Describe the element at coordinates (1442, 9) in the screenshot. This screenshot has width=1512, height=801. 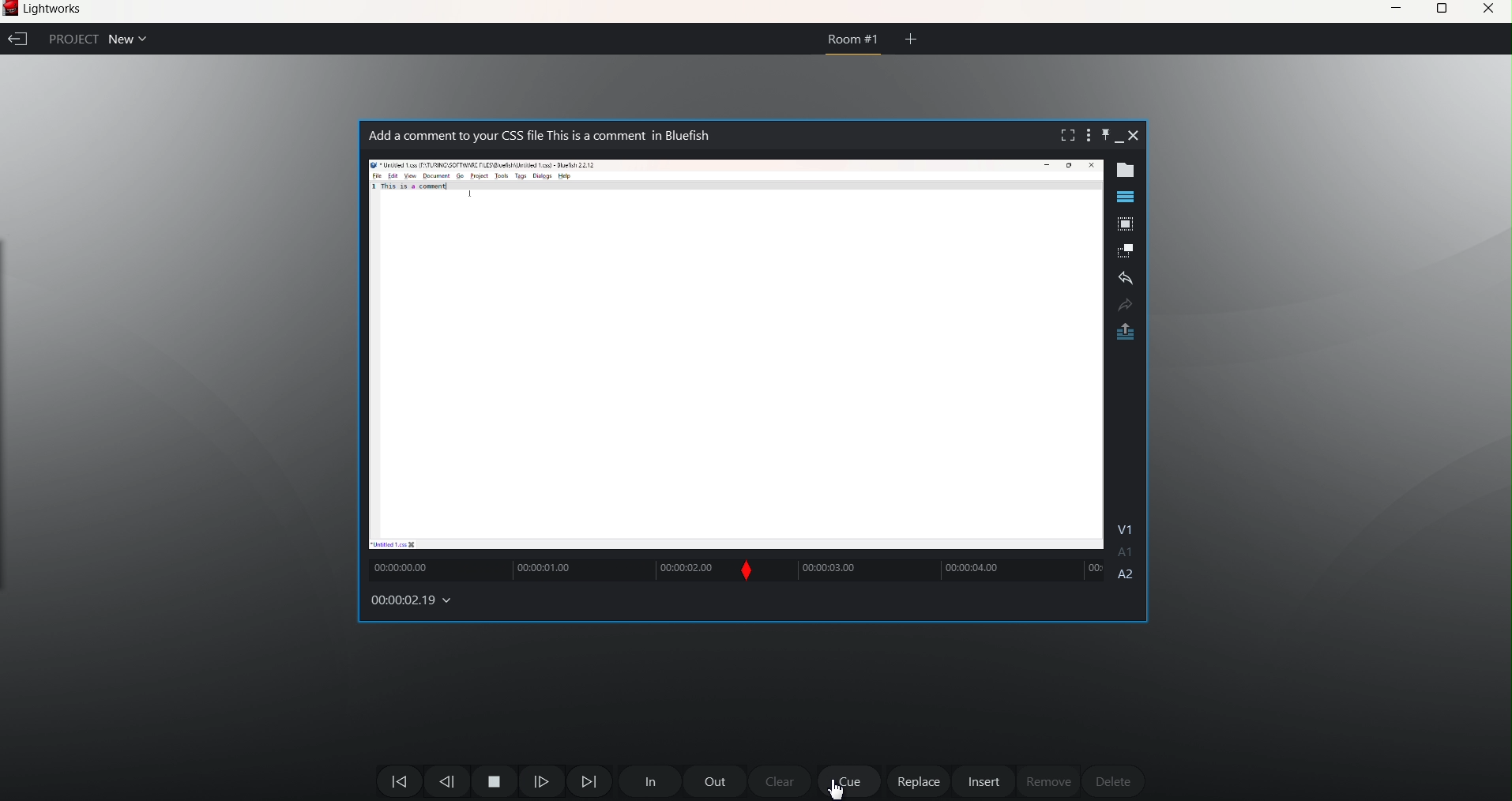
I see `maximize` at that location.